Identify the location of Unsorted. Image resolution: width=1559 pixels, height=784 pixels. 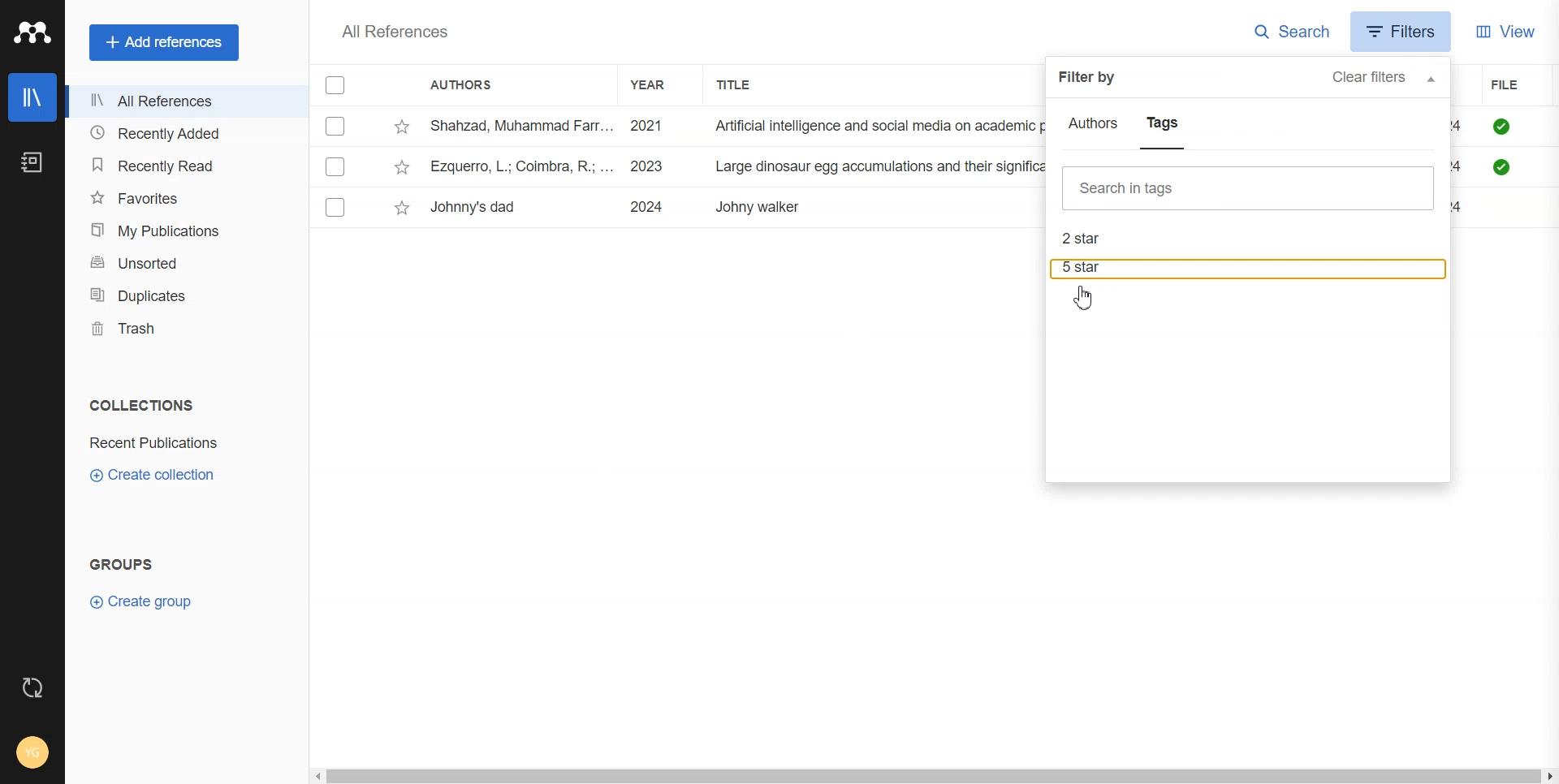
(181, 263).